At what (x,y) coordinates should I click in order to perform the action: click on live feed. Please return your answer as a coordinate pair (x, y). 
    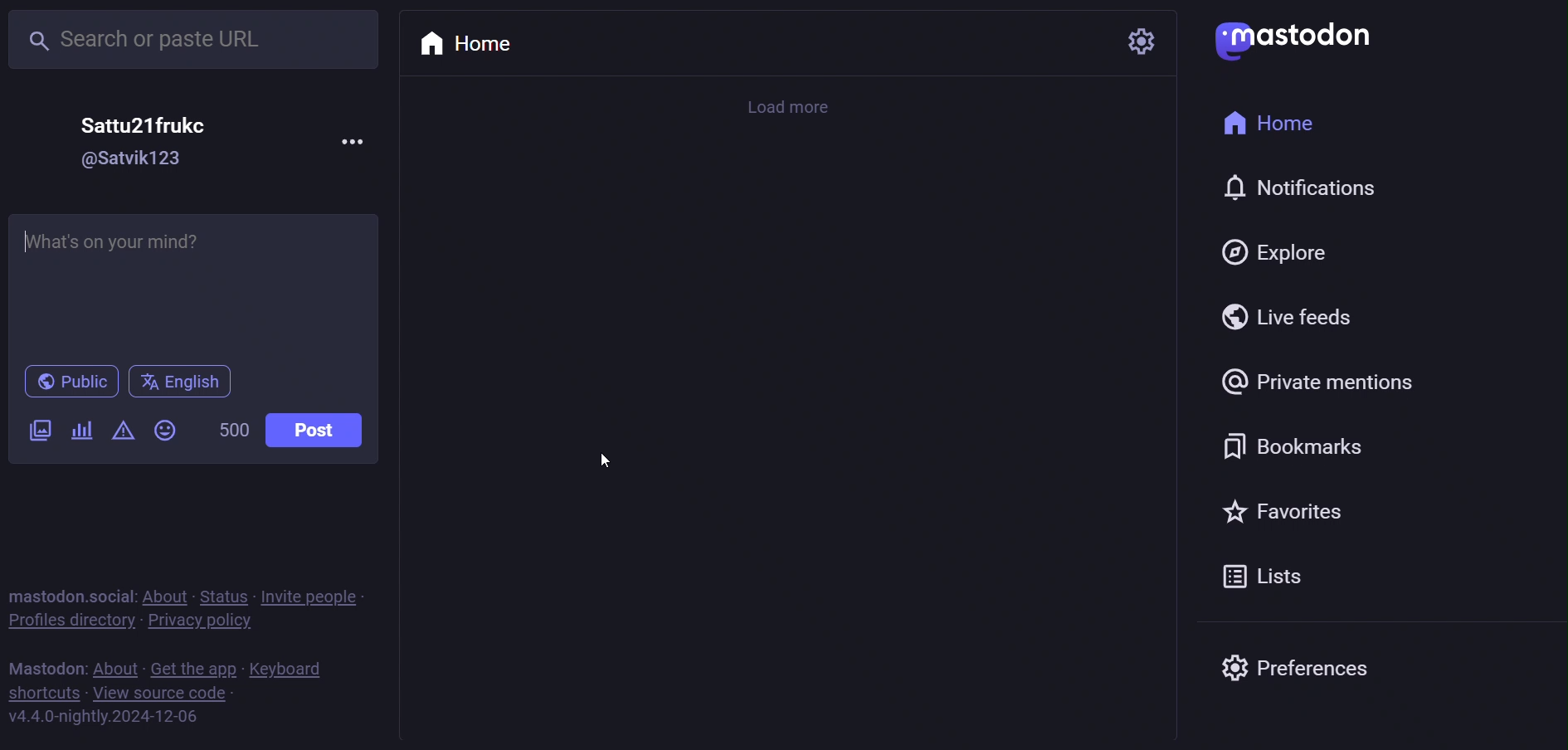
    Looking at the image, I should click on (1283, 319).